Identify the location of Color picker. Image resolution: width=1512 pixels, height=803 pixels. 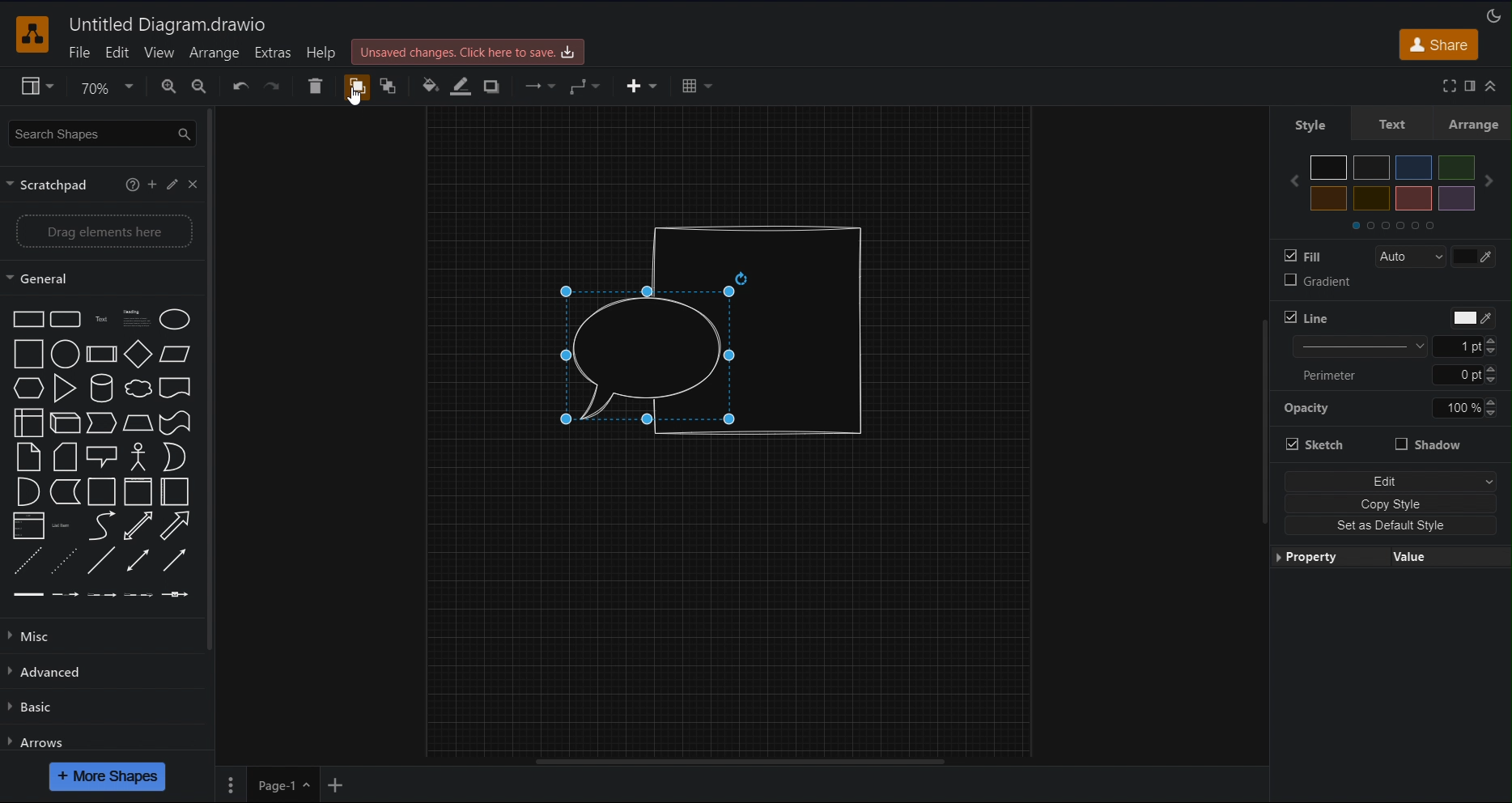
(1473, 318).